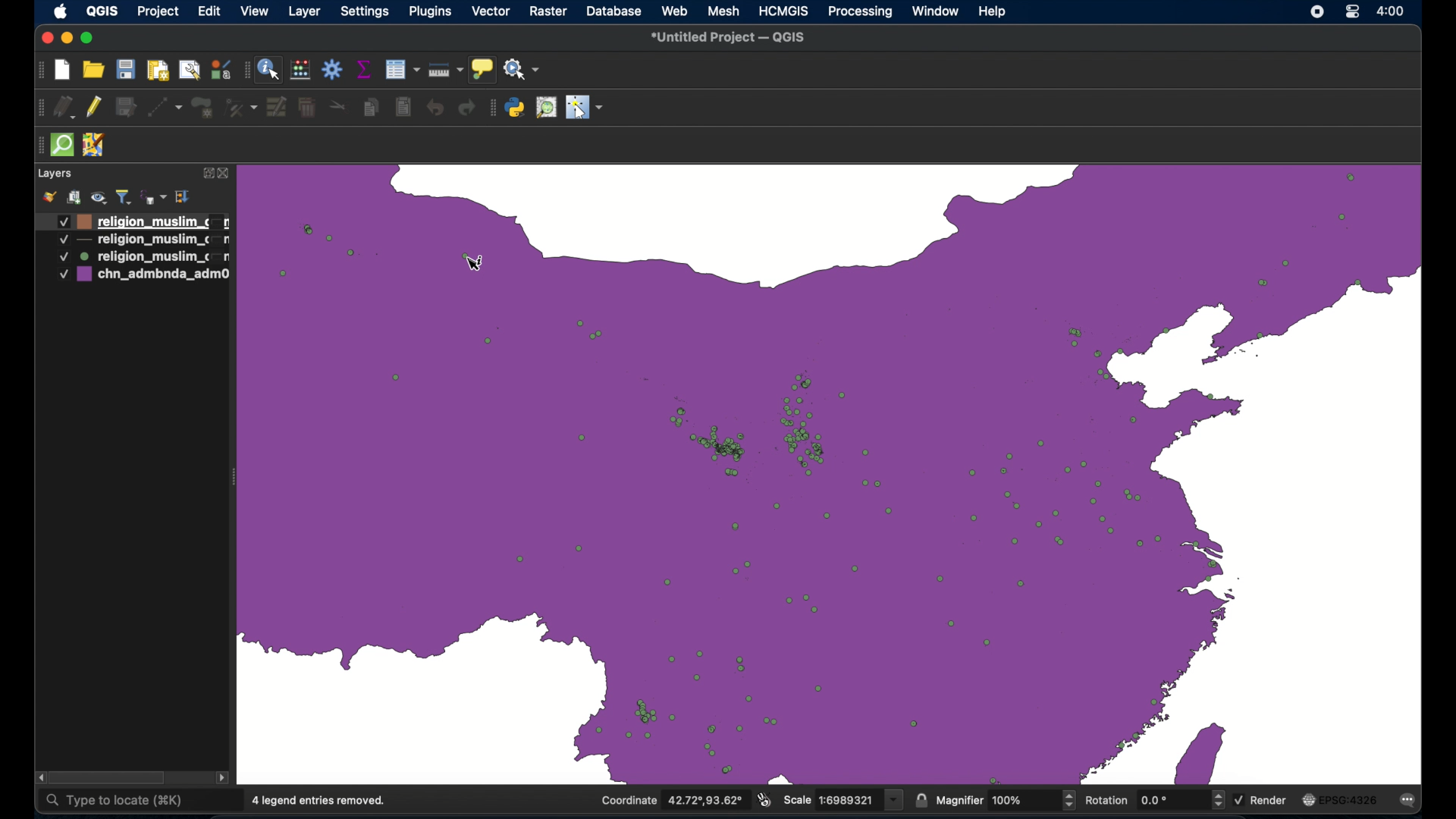  What do you see at coordinates (523, 69) in the screenshot?
I see `no action selected` at bounding box center [523, 69].